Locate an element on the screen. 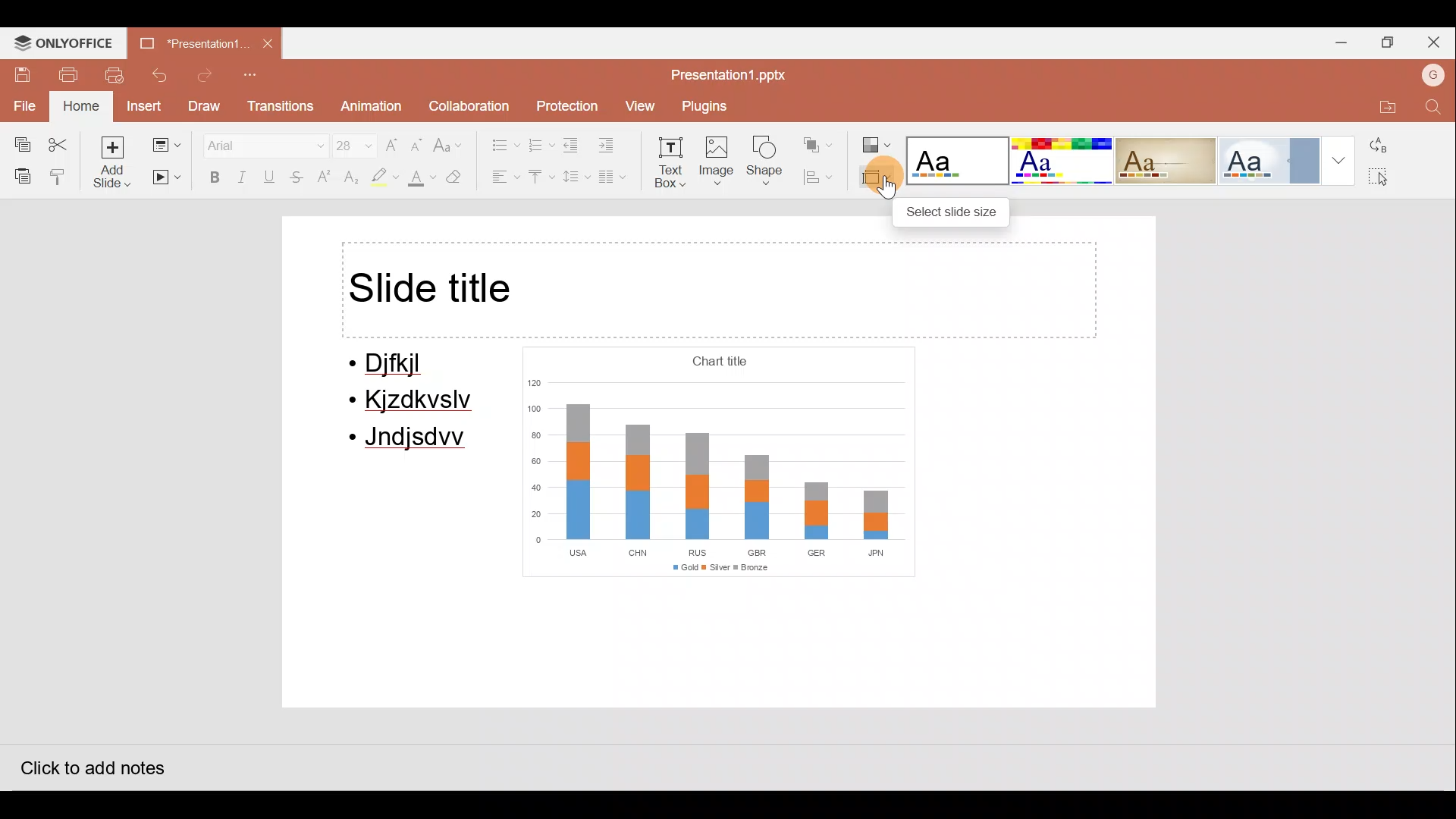 This screenshot has width=1456, height=819. Highlight color is located at coordinates (381, 178).